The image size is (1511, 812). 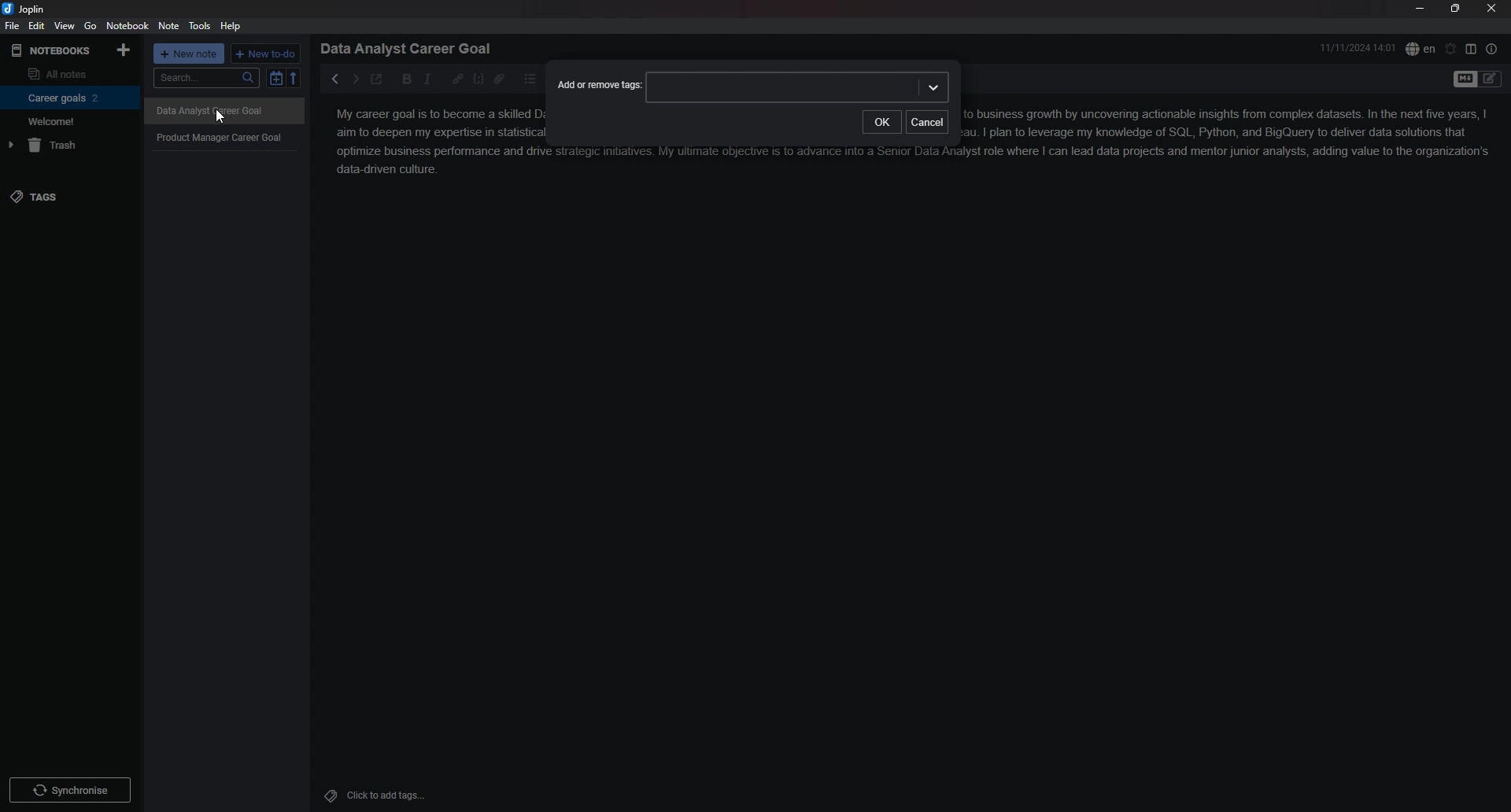 What do you see at coordinates (499, 79) in the screenshot?
I see `attachment` at bounding box center [499, 79].